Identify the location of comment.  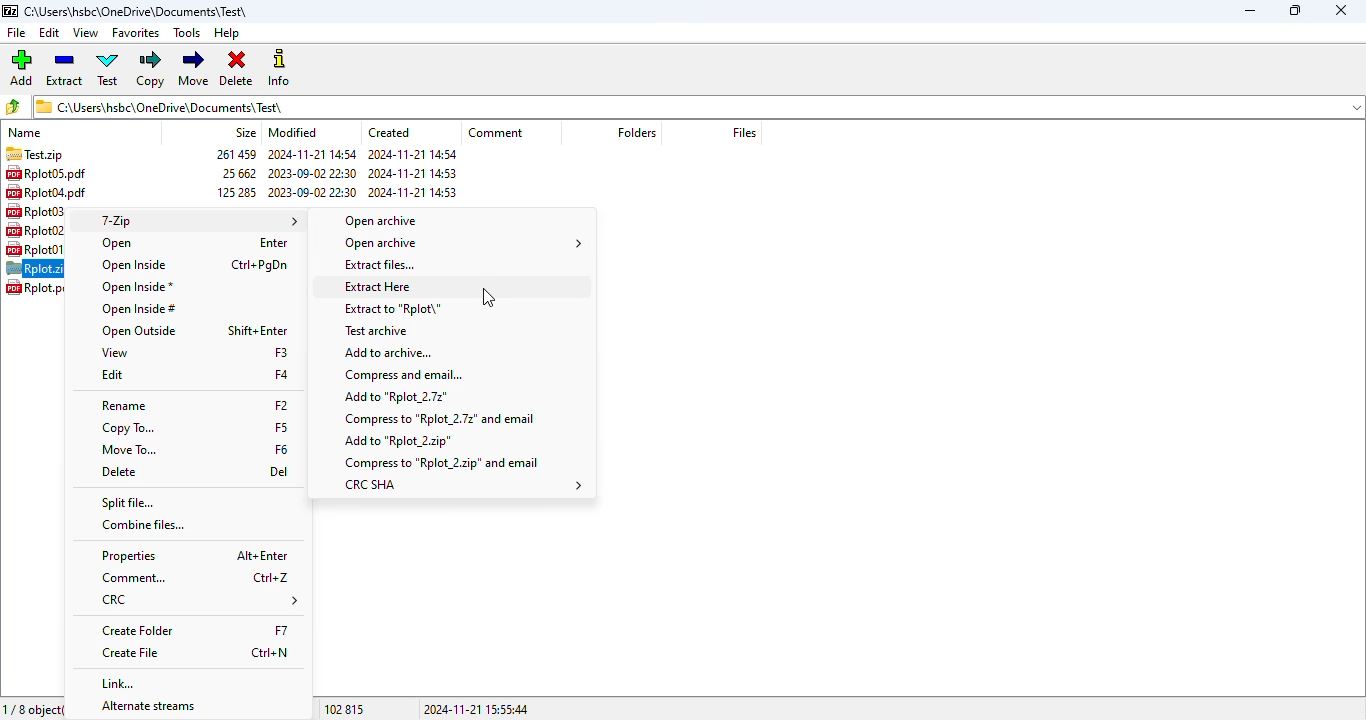
(496, 133).